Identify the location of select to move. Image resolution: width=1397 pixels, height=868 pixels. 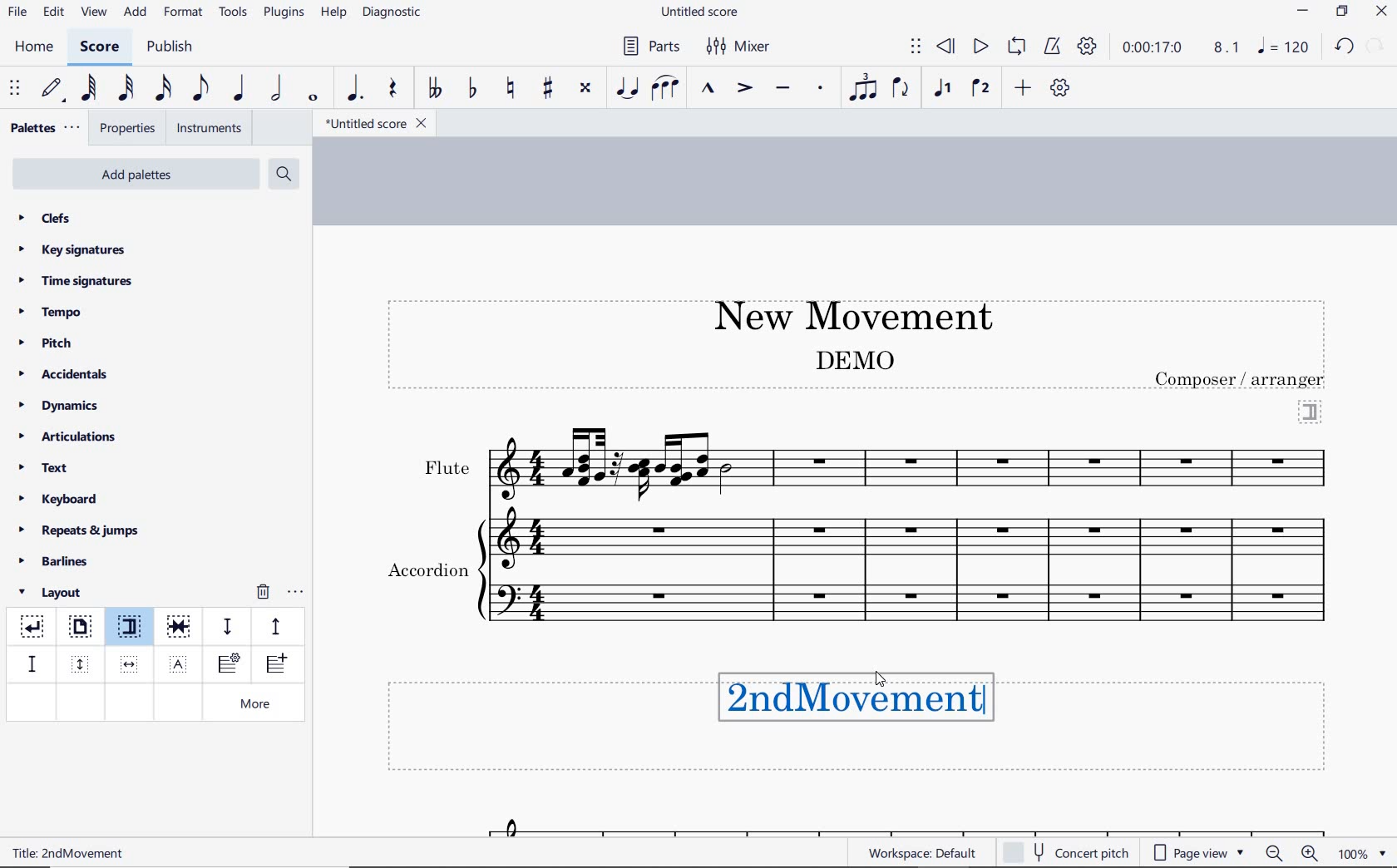
(17, 89).